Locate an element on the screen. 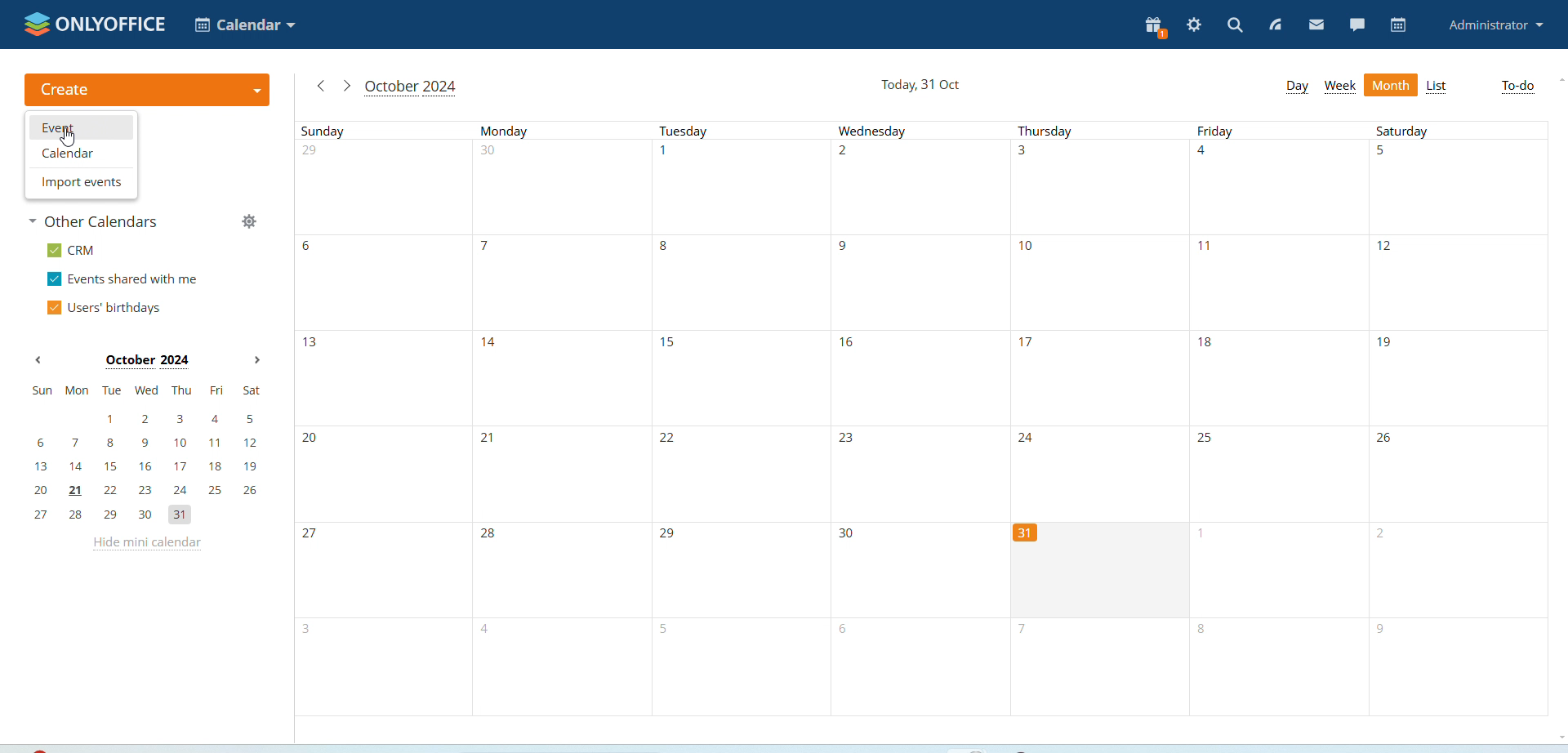  event is located at coordinates (81, 127).